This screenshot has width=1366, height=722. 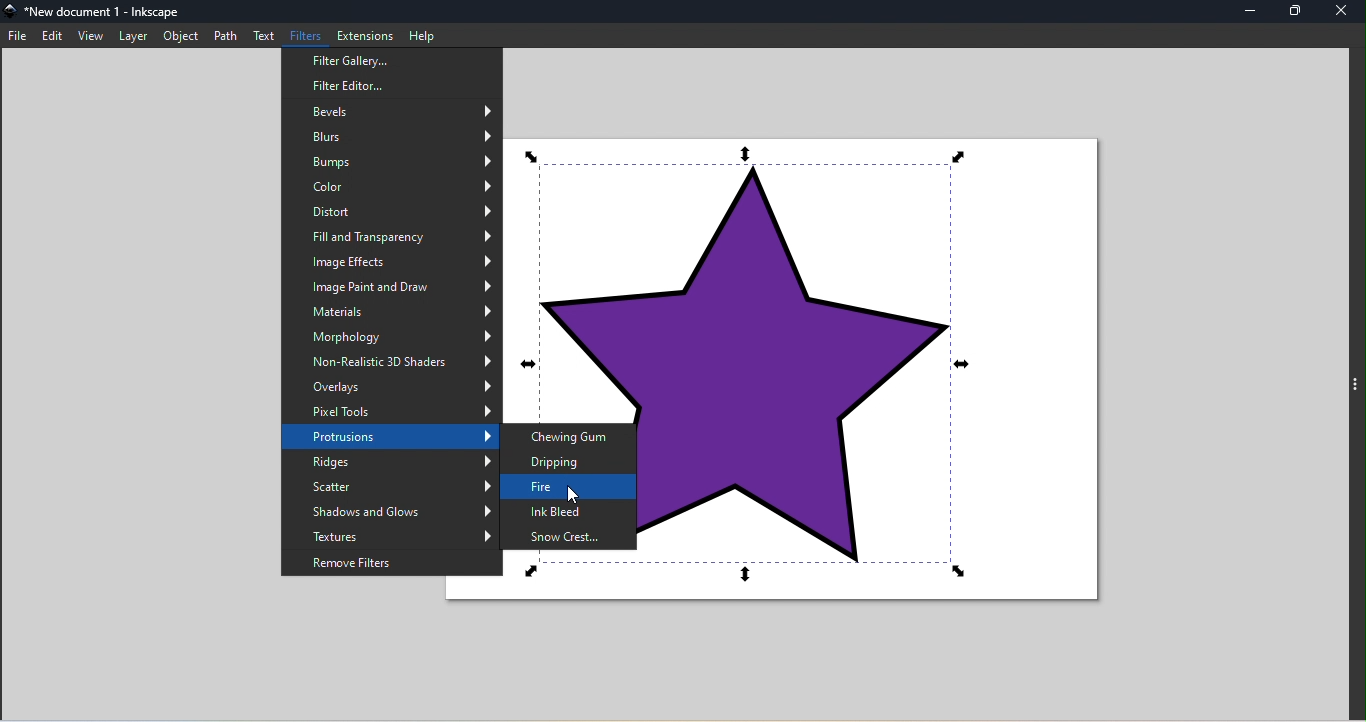 I want to click on toggle command panel, so click(x=1354, y=381).